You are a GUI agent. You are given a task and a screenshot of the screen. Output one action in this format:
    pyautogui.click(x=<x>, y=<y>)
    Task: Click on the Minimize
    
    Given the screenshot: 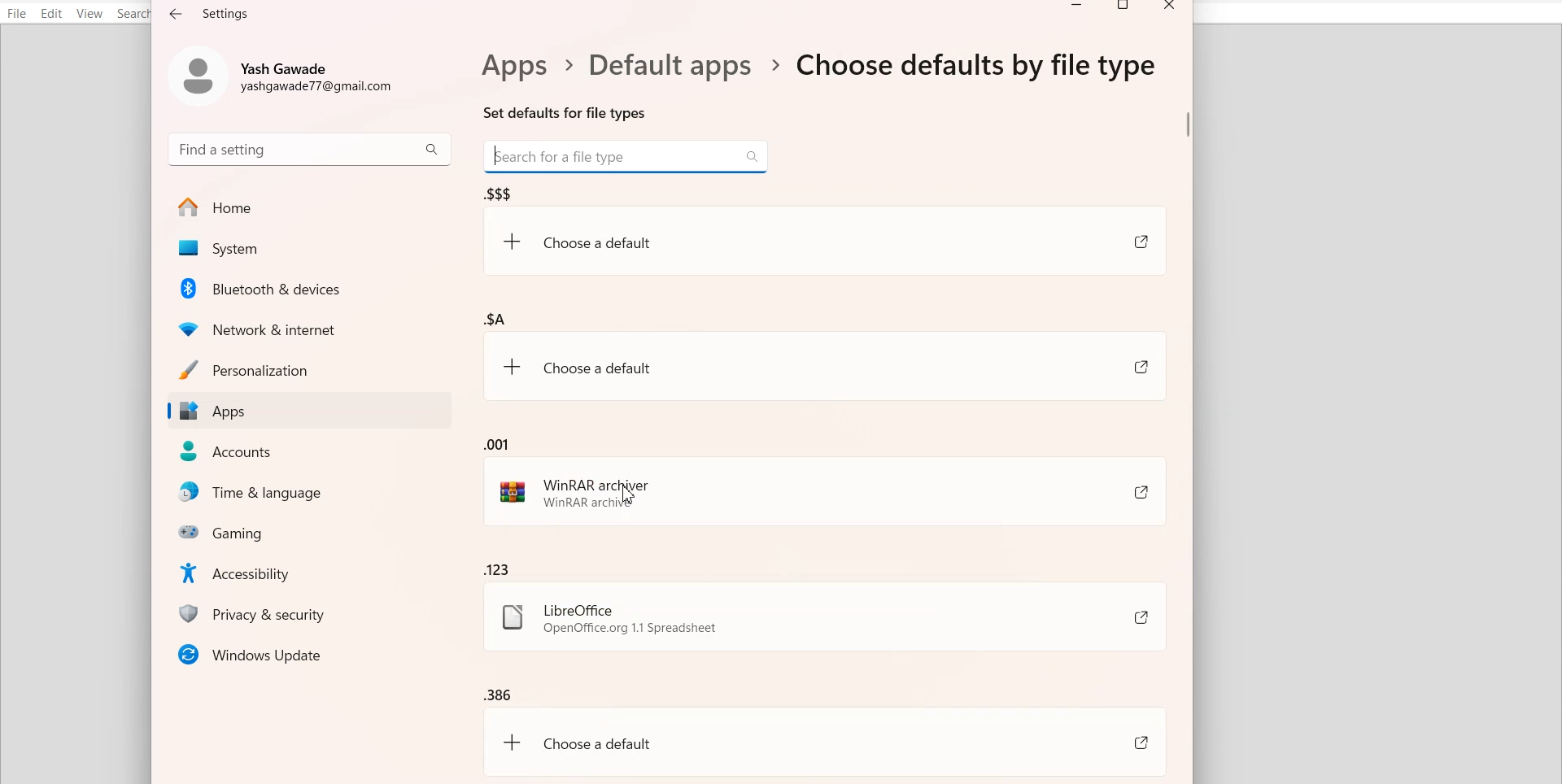 What is the action you would take?
    pyautogui.click(x=1077, y=8)
    